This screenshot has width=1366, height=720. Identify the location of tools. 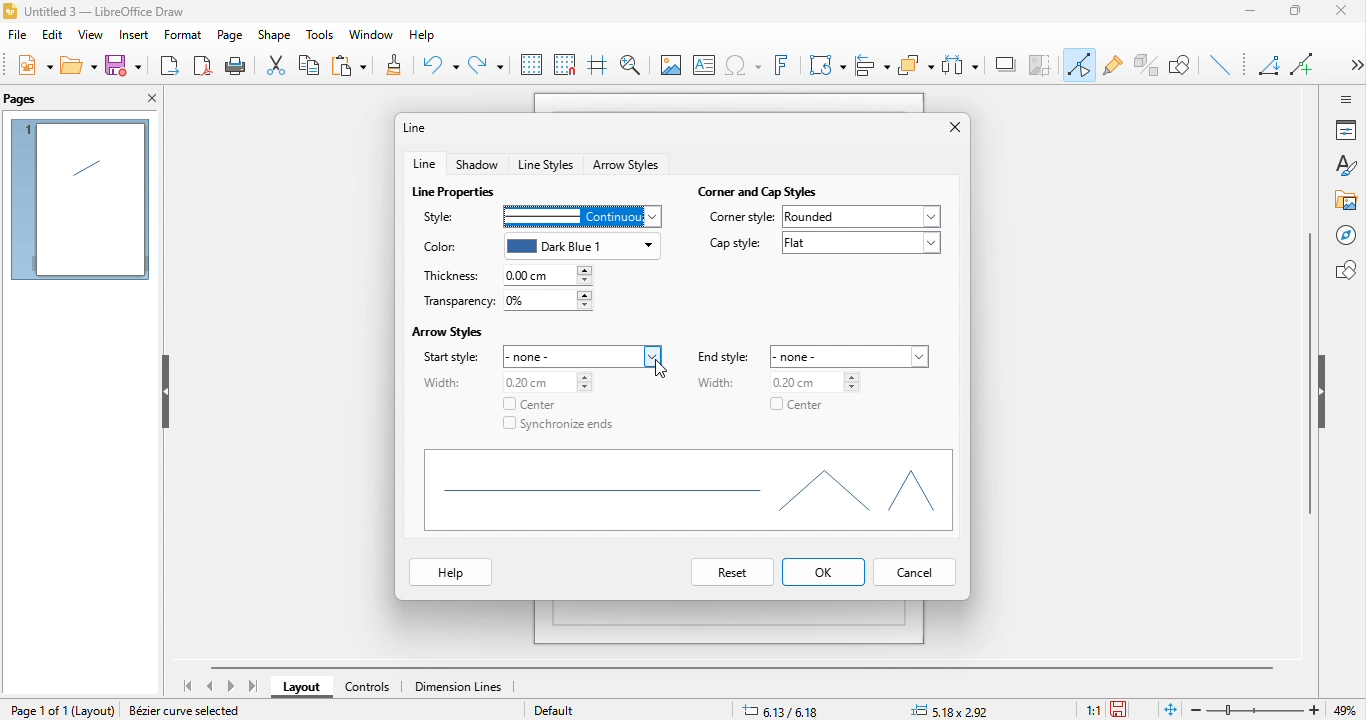
(315, 34).